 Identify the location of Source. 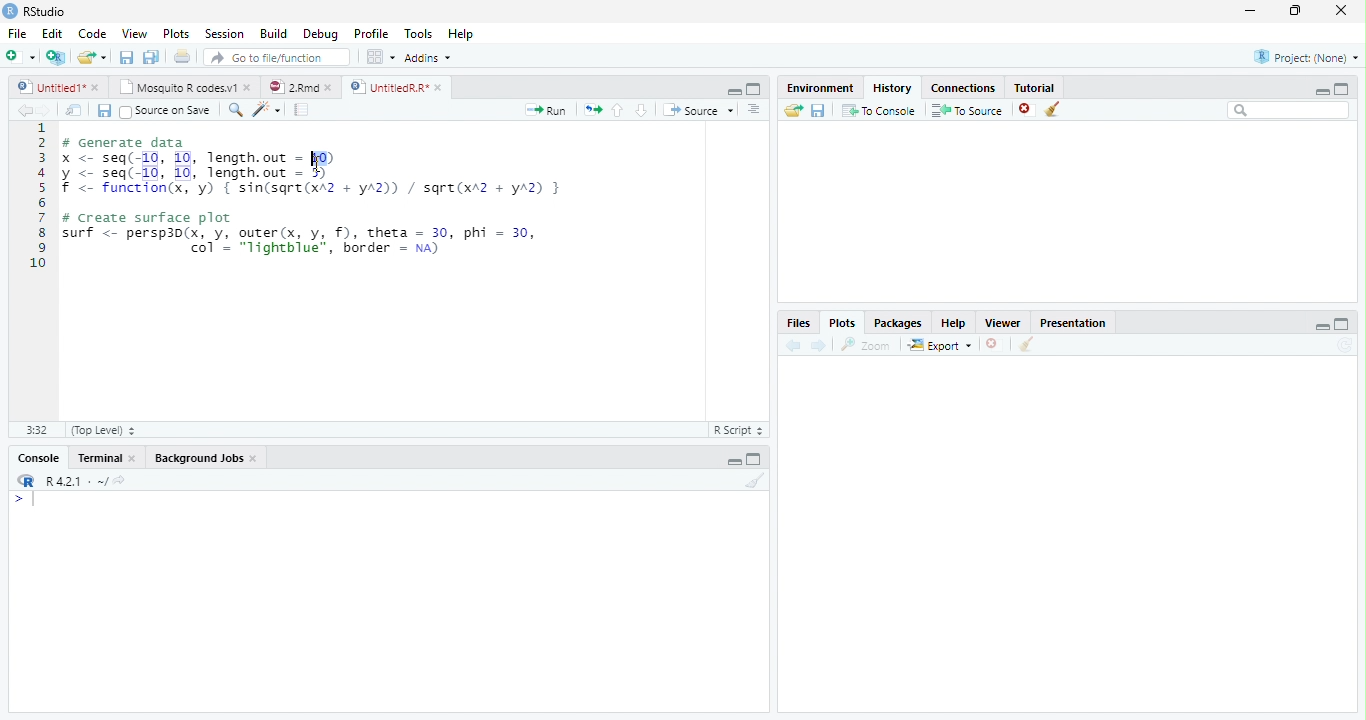
(697, 109).